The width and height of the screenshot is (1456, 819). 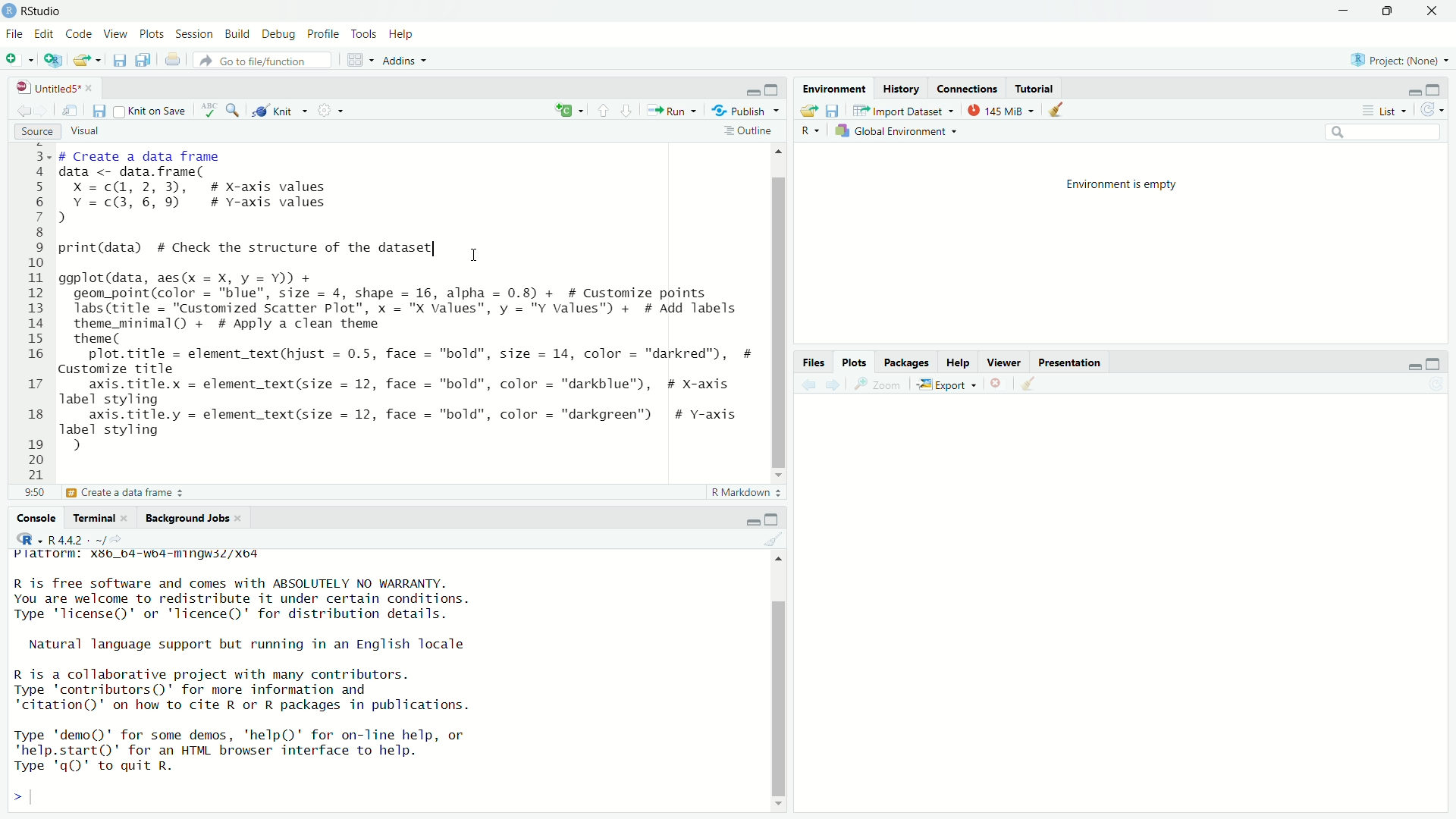 What do you see at coordinates (13, 33) in the screenshot?
I see `File` at bounding box center [13, 33].